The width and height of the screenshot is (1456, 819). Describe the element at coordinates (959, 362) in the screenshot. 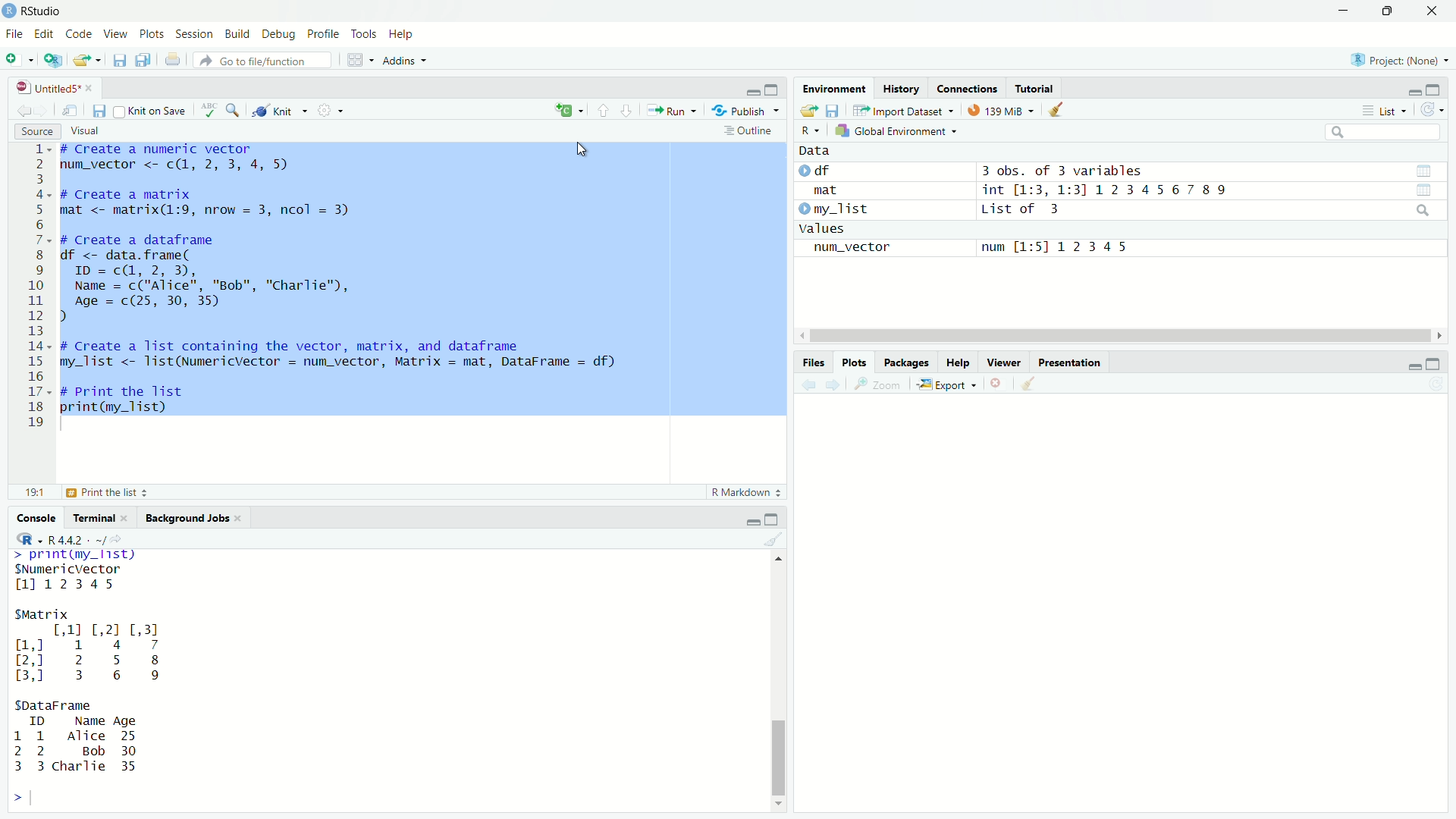

I see `Help` at that location.